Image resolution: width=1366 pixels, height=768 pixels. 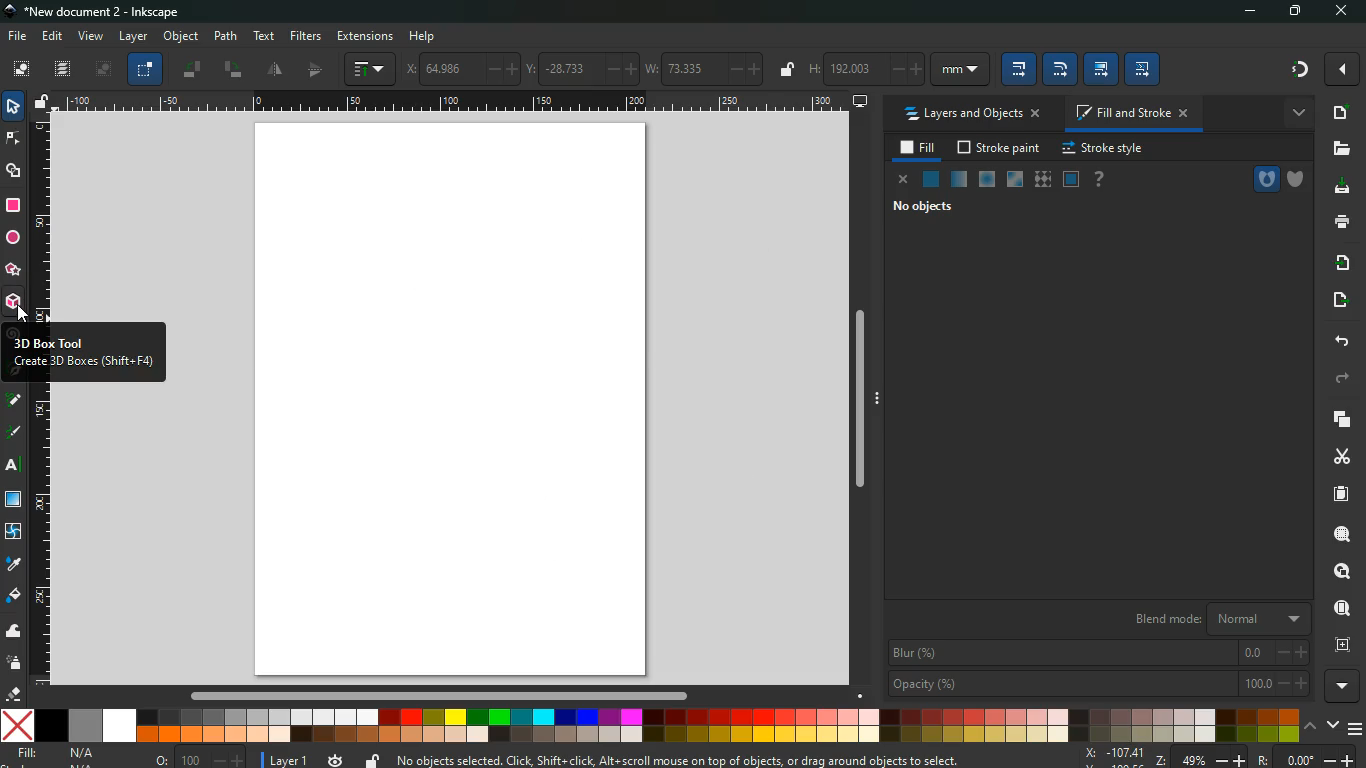 What do you see at coordinates (12, 563) in the screenshot?
I see `drop` at bounding box center [12, 563].